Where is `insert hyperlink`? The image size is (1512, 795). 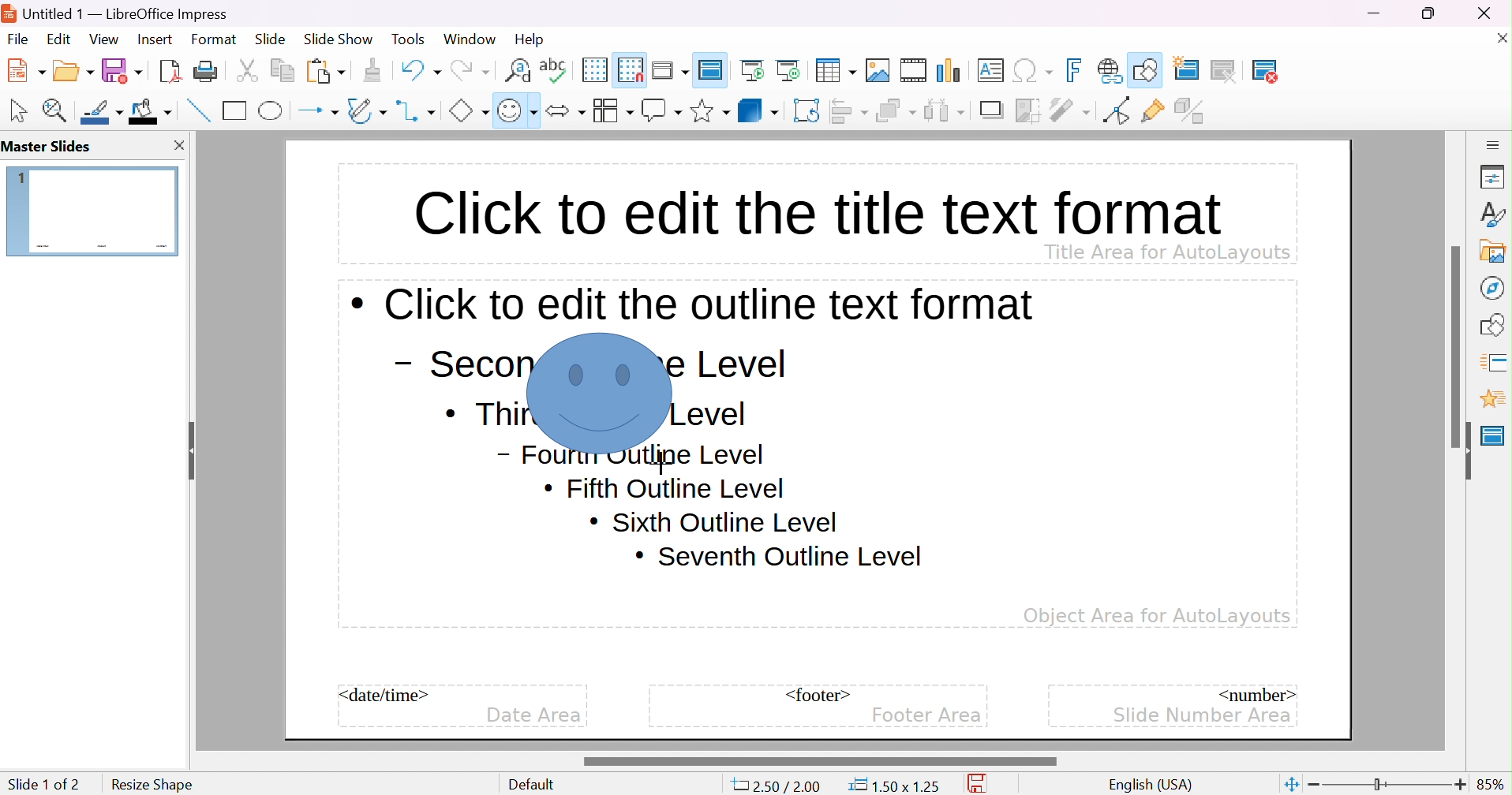
insert hyperlink is located at coordinates (1110, 70).